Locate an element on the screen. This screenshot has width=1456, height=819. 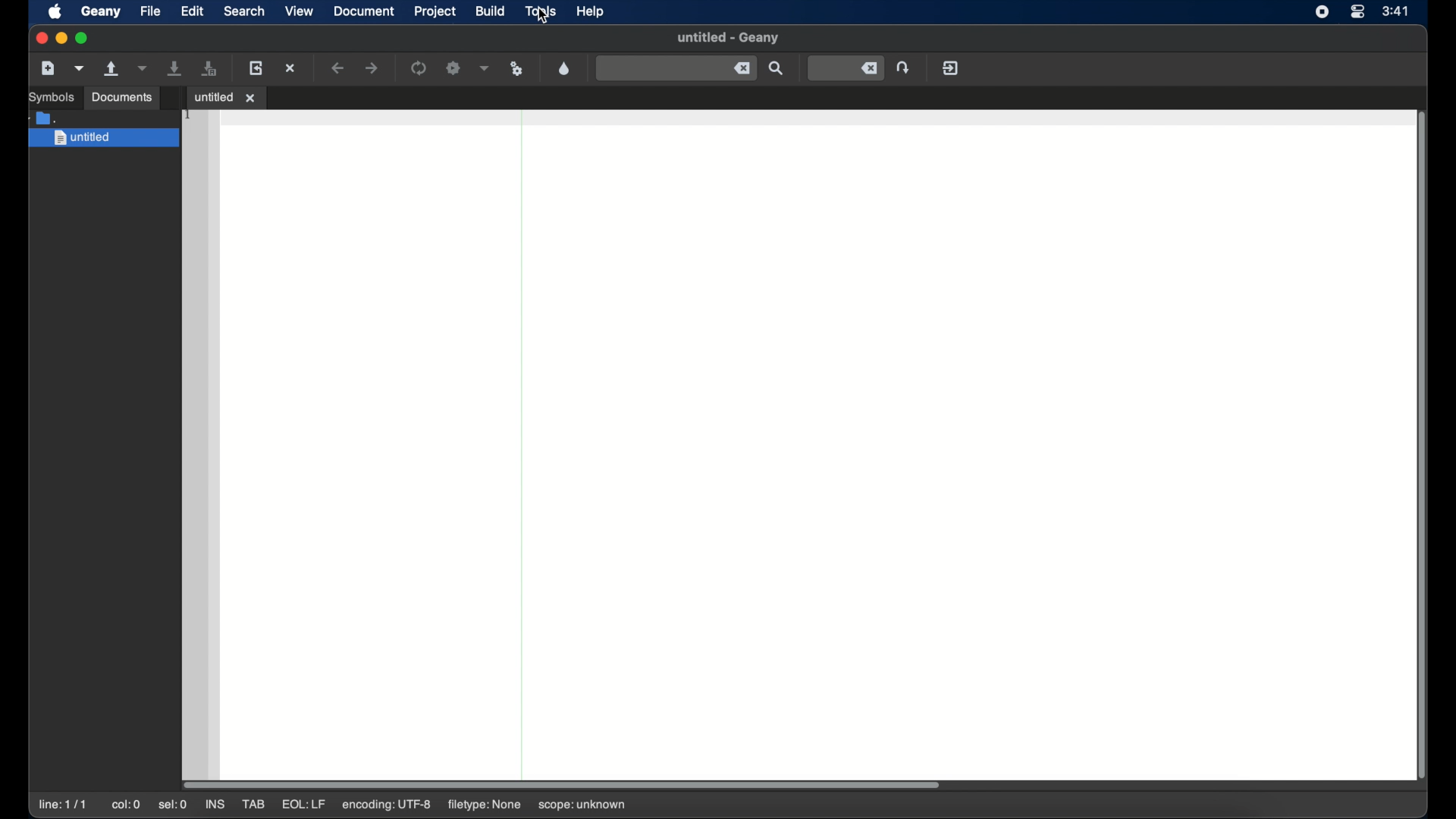
encoding: utf-8 is located at coordinates (387, 805).